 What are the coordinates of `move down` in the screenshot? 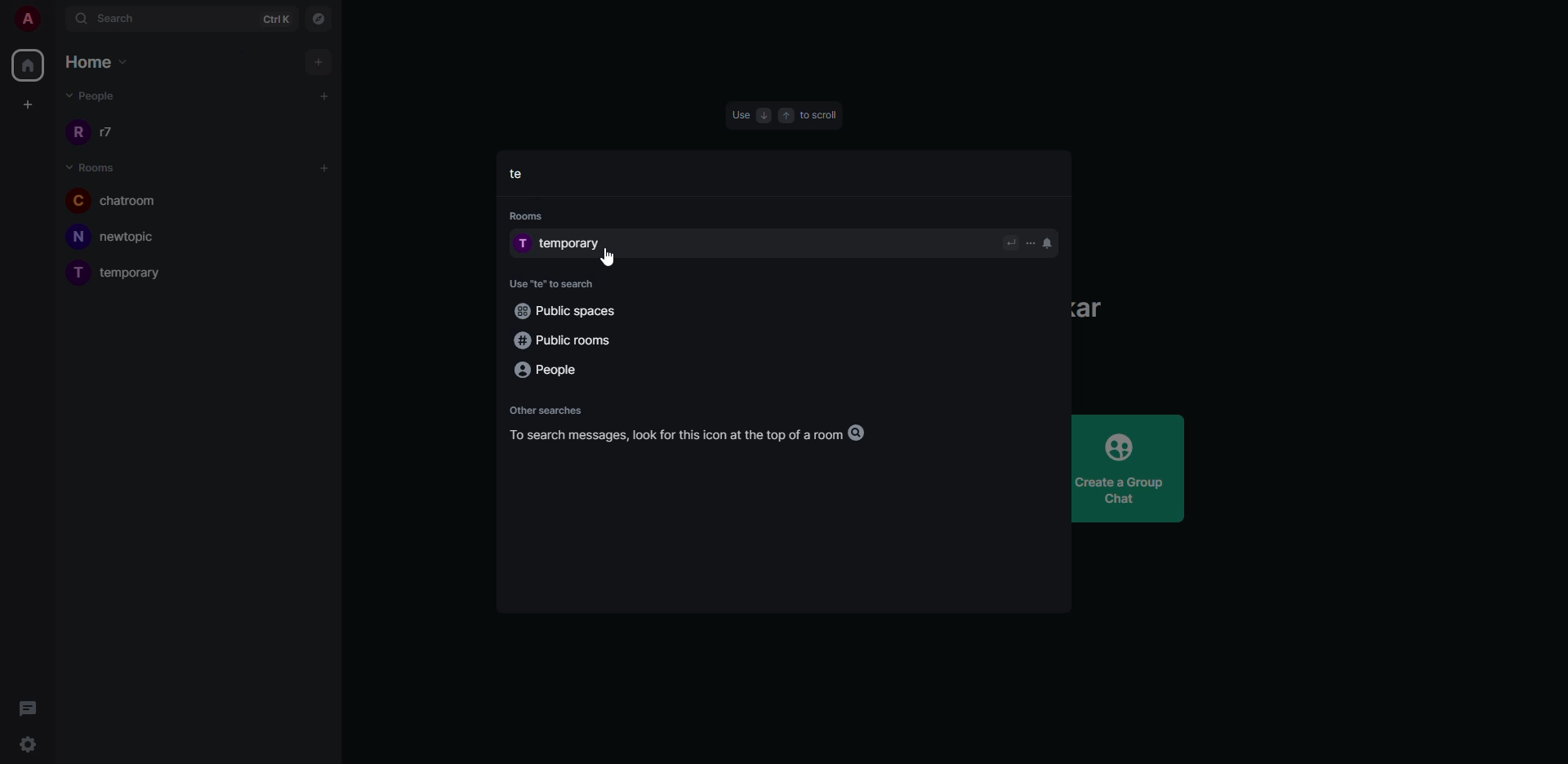 It's located at (761, 114).